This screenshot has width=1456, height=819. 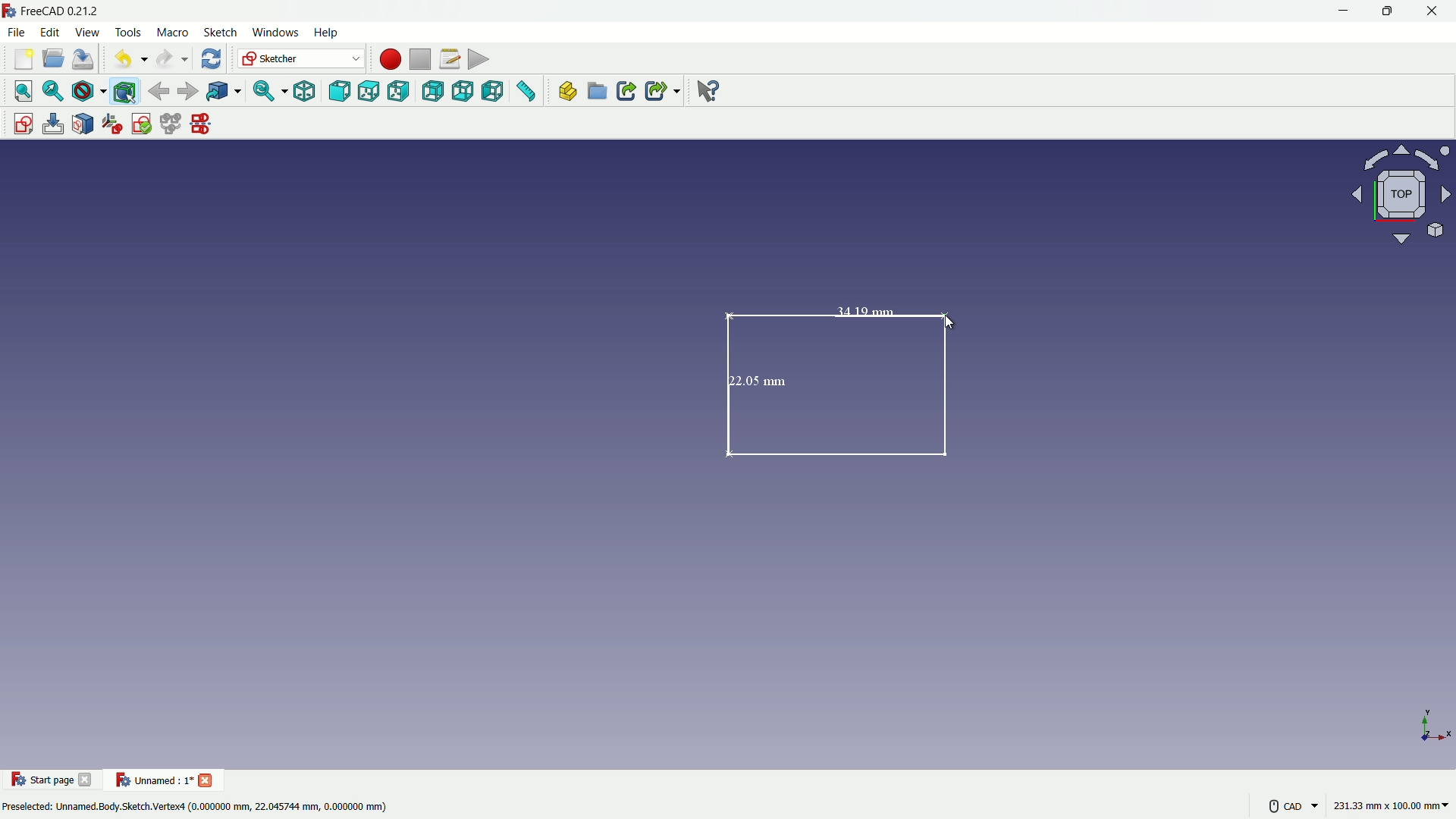 What do you see at coordinates (626, 93) in the screenshot?
I see `make link` at bounding box center [626, 93].